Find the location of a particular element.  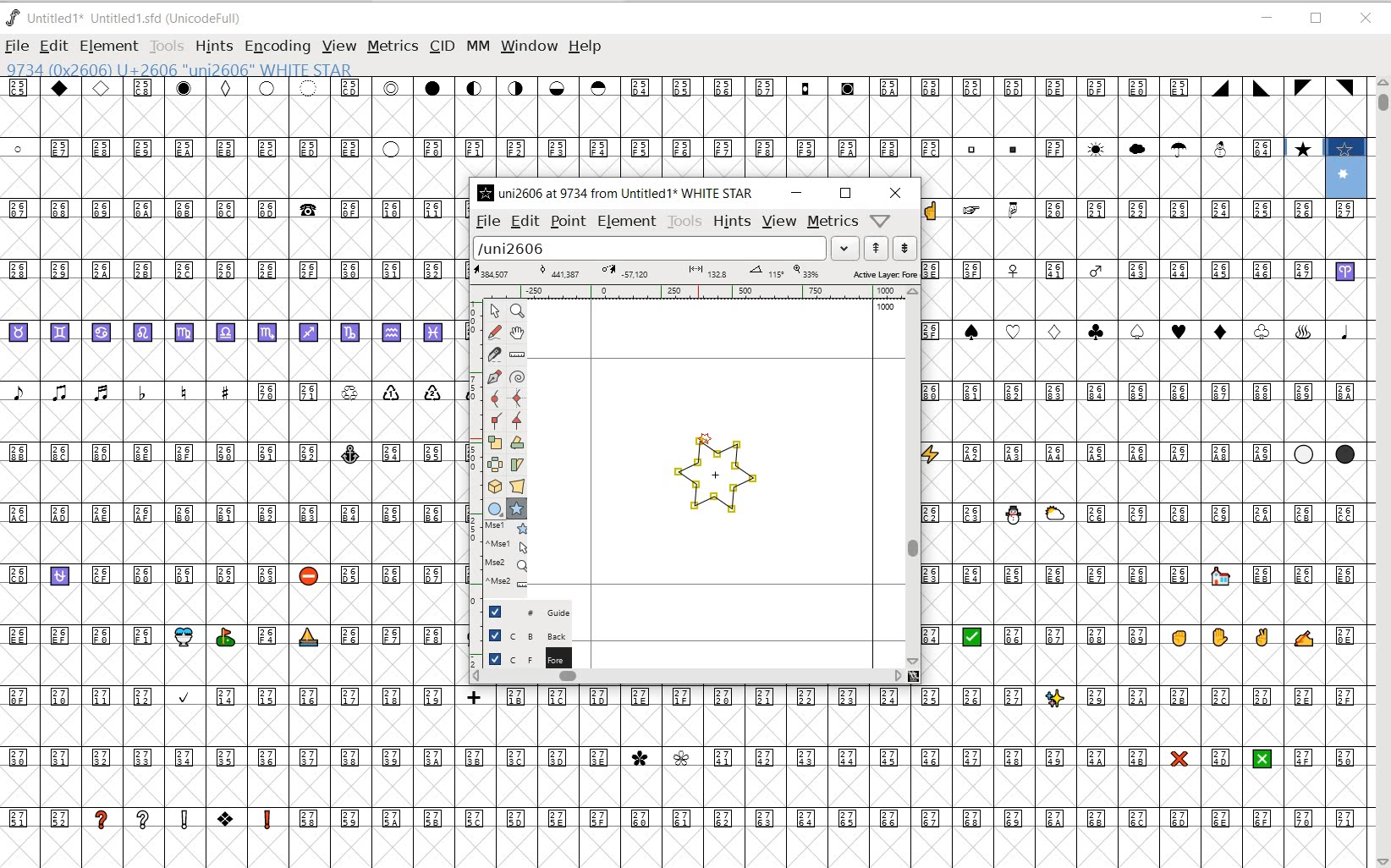

Uni2606 at 9734 from Untitled 1* WHITE STAR is located at coordinates (619, 191).